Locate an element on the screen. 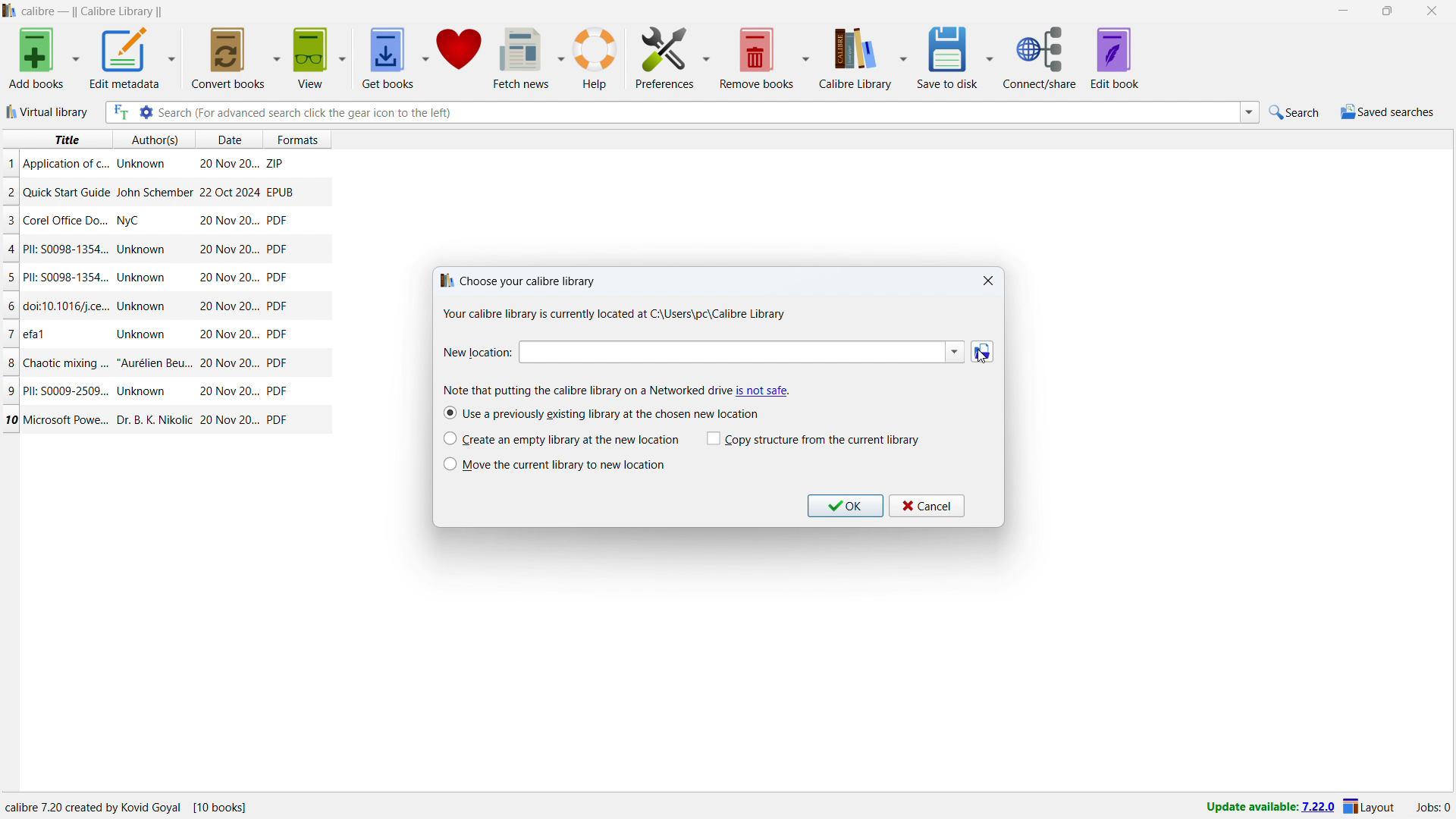 This screenshot has width=1456, height=819. edit book is located at coordinates (1116, 58).